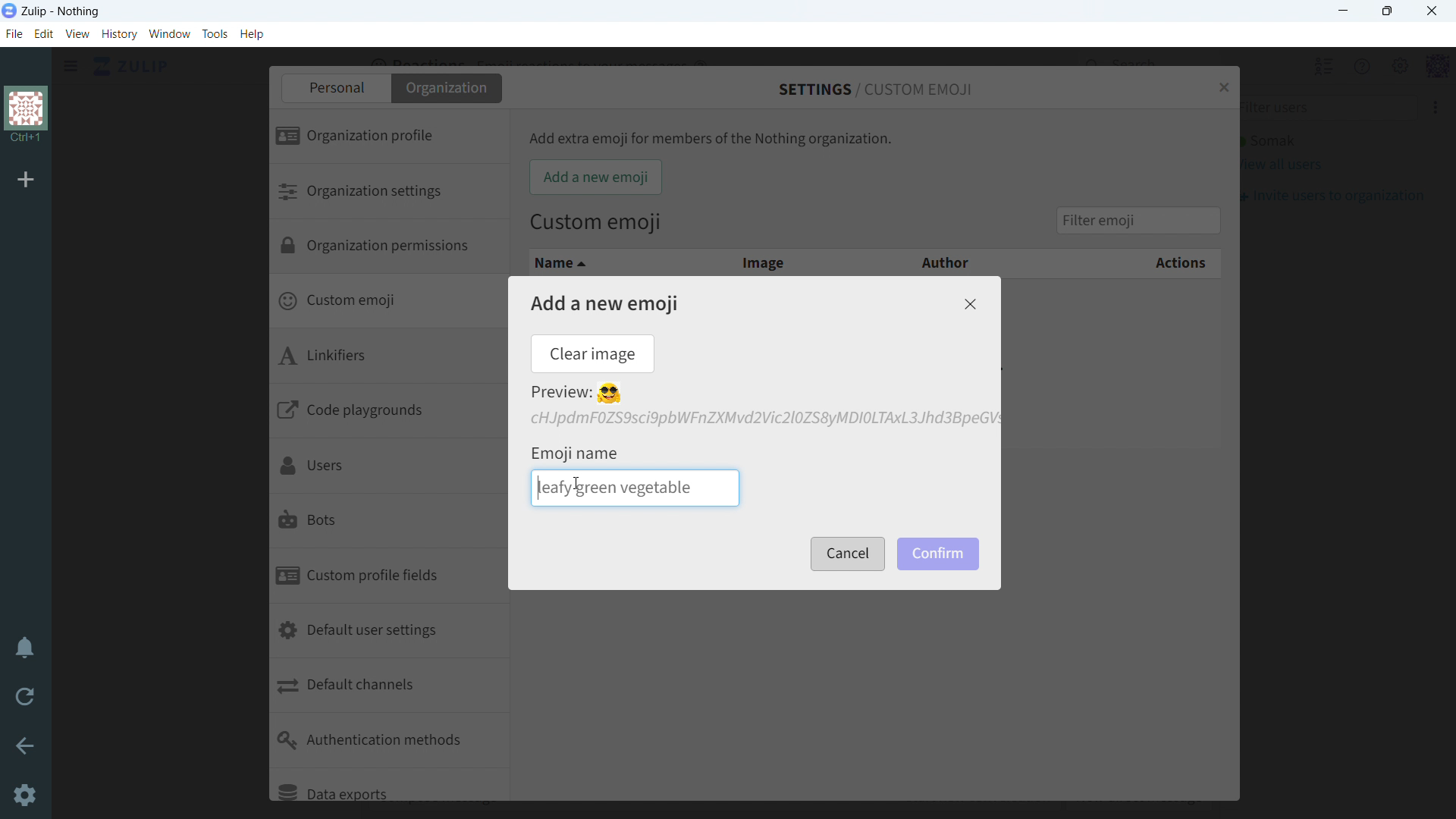 The width and height of the screenshot is (1456, 819). Describe the element at coordinates (877, 89) in the screenshot. I see `settings/custom emoji` at that location.